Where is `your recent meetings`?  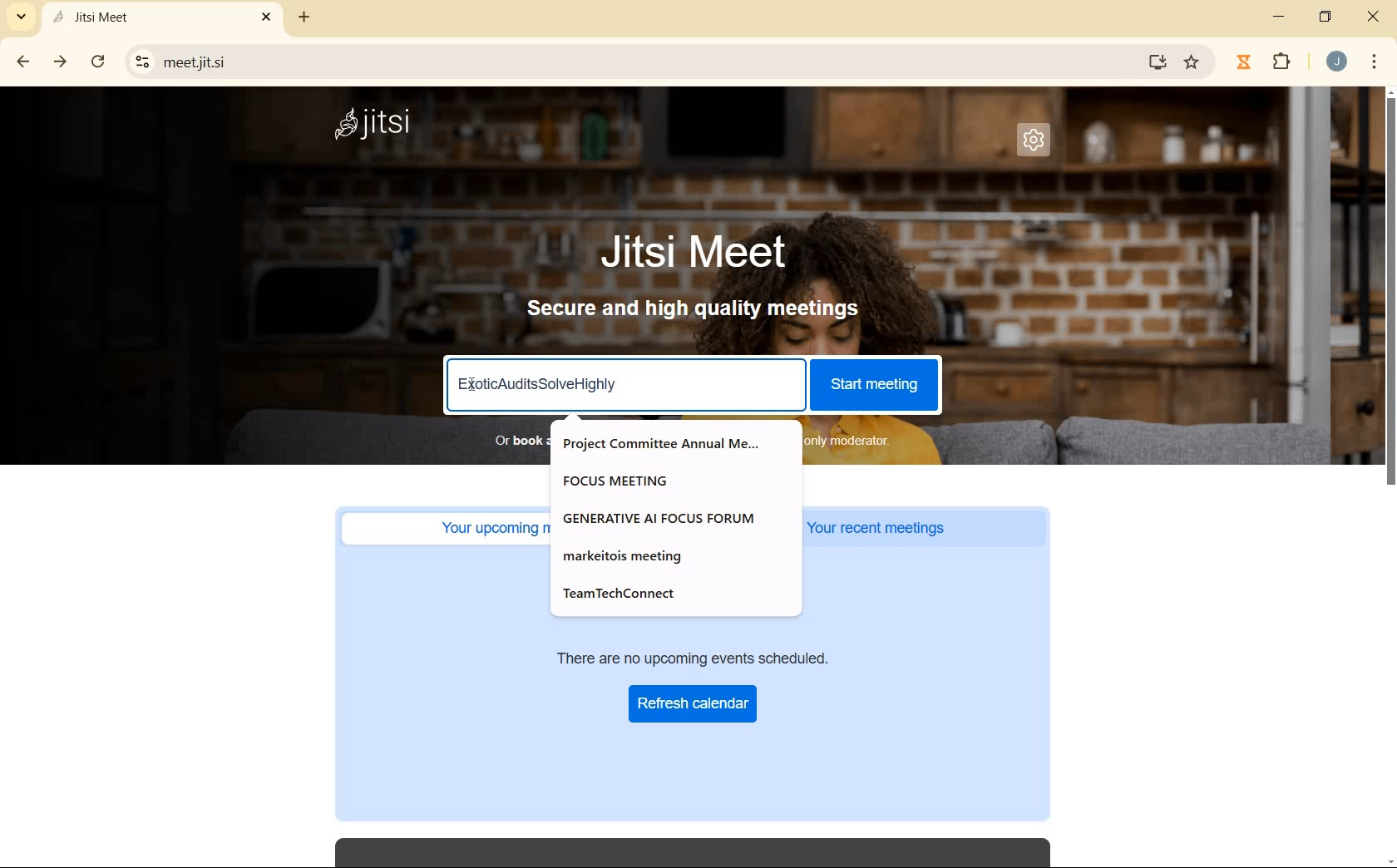
your recent meetings is located at coordinates (927, 528).